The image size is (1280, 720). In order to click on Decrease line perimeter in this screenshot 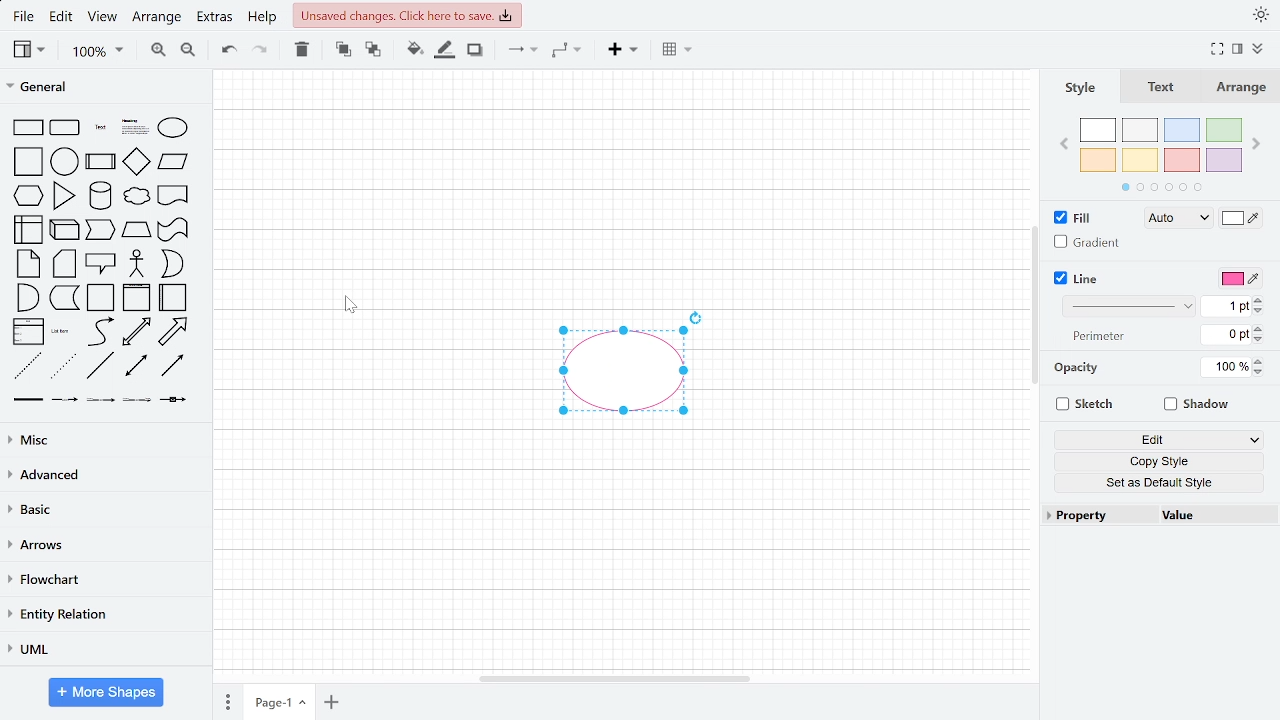, I will do `click(1259, 339)`.